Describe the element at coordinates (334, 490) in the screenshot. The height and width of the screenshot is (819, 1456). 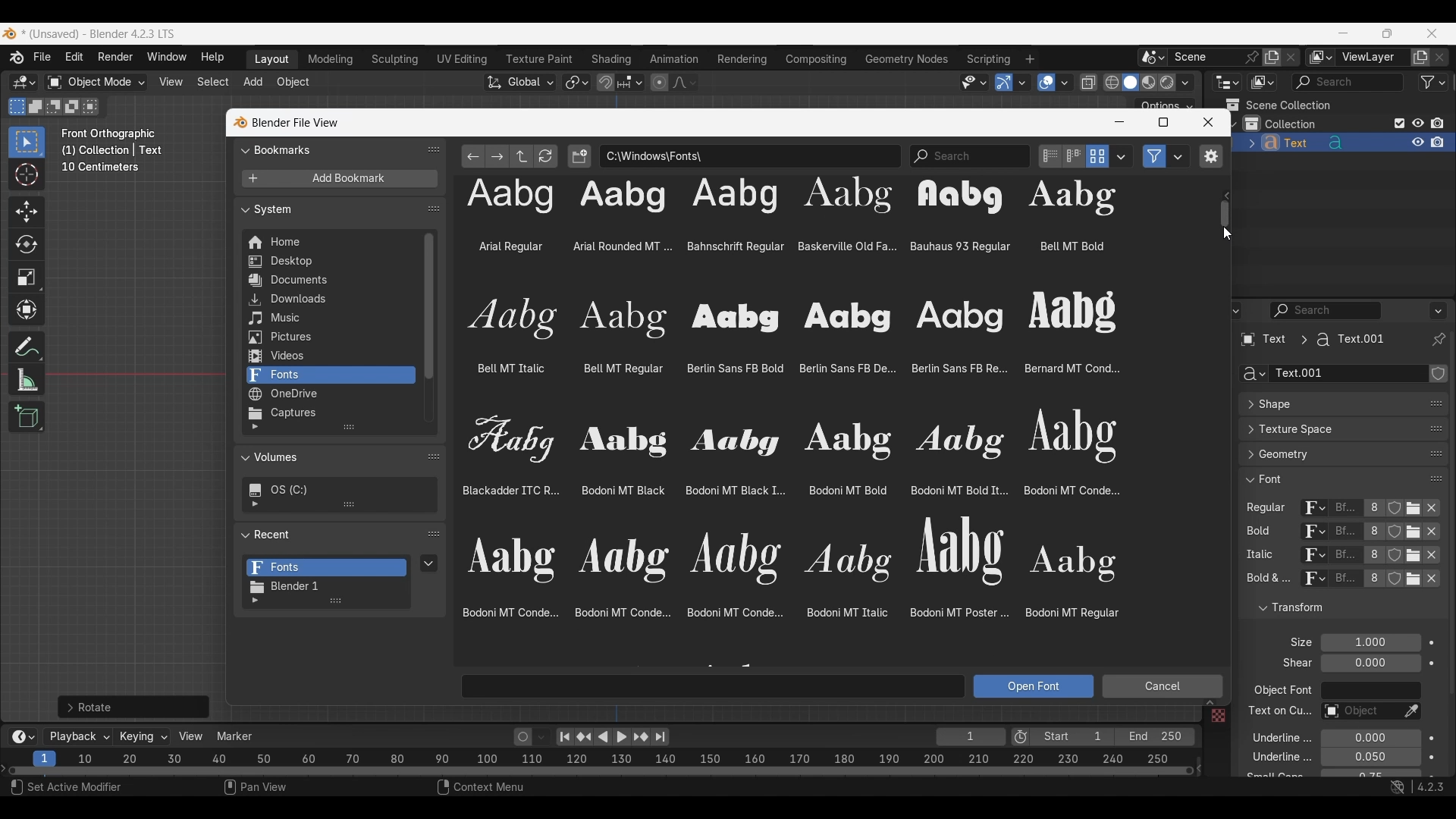
I see `Current drive` at that location.